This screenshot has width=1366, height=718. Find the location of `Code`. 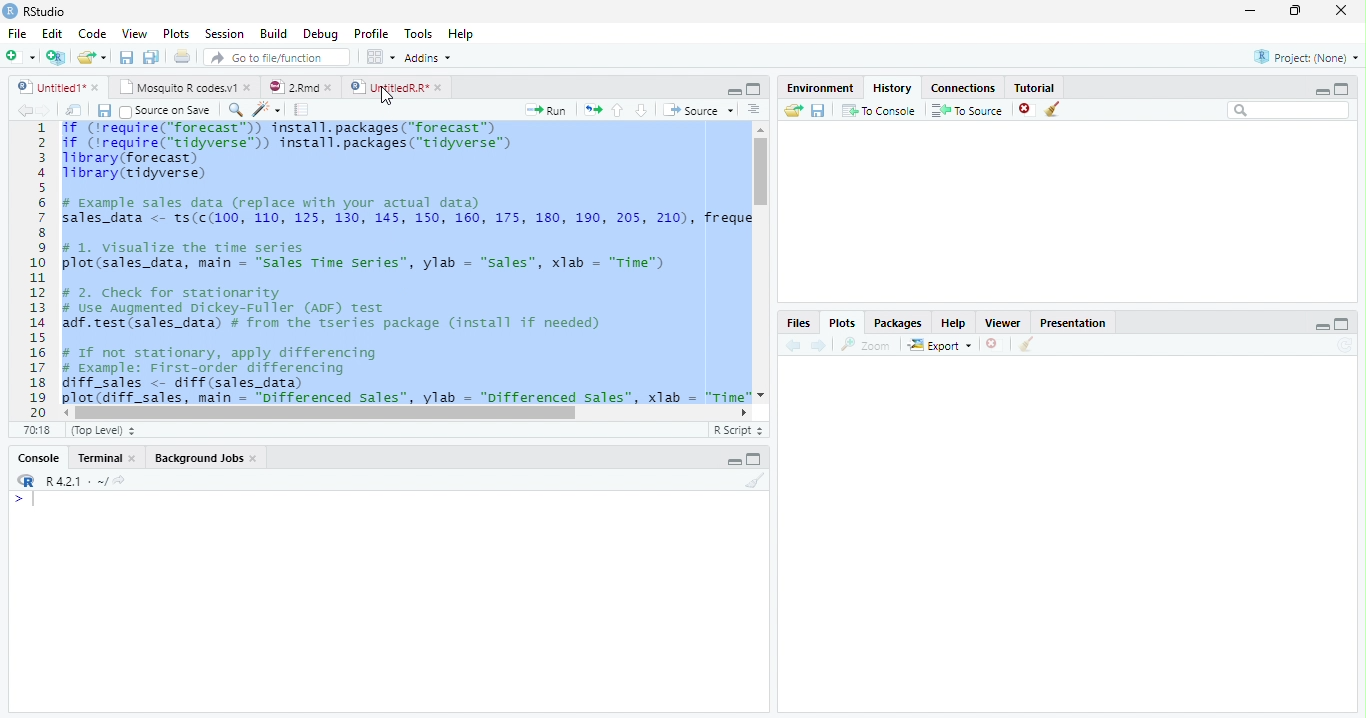

Code is located at coordinates (94, 33).